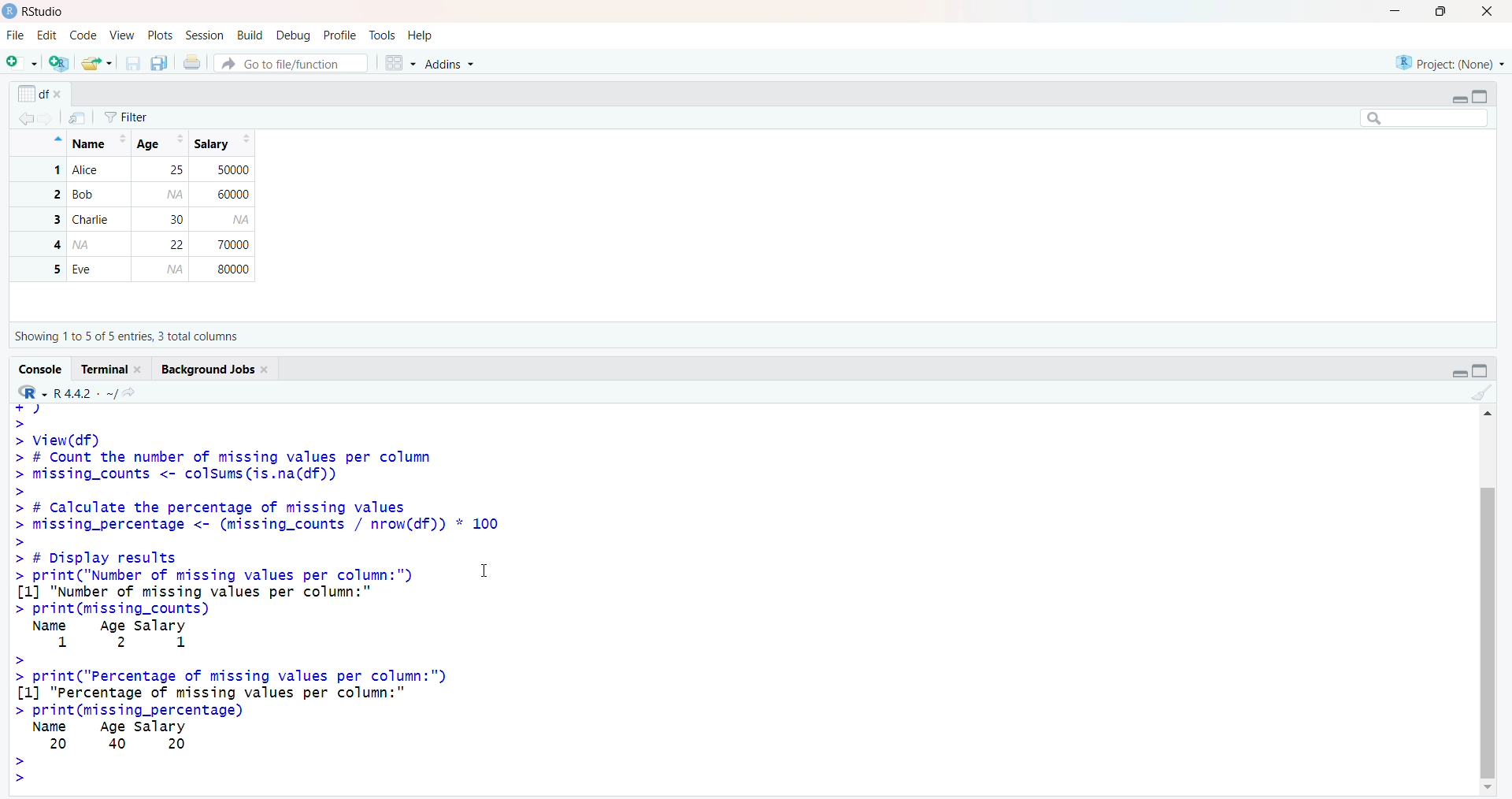 The width and height of the screenshot is (1512, 799). What do you see at coordinates (21, 63) in the screenshot?
I see `New File` at bounding box center [21, 63].